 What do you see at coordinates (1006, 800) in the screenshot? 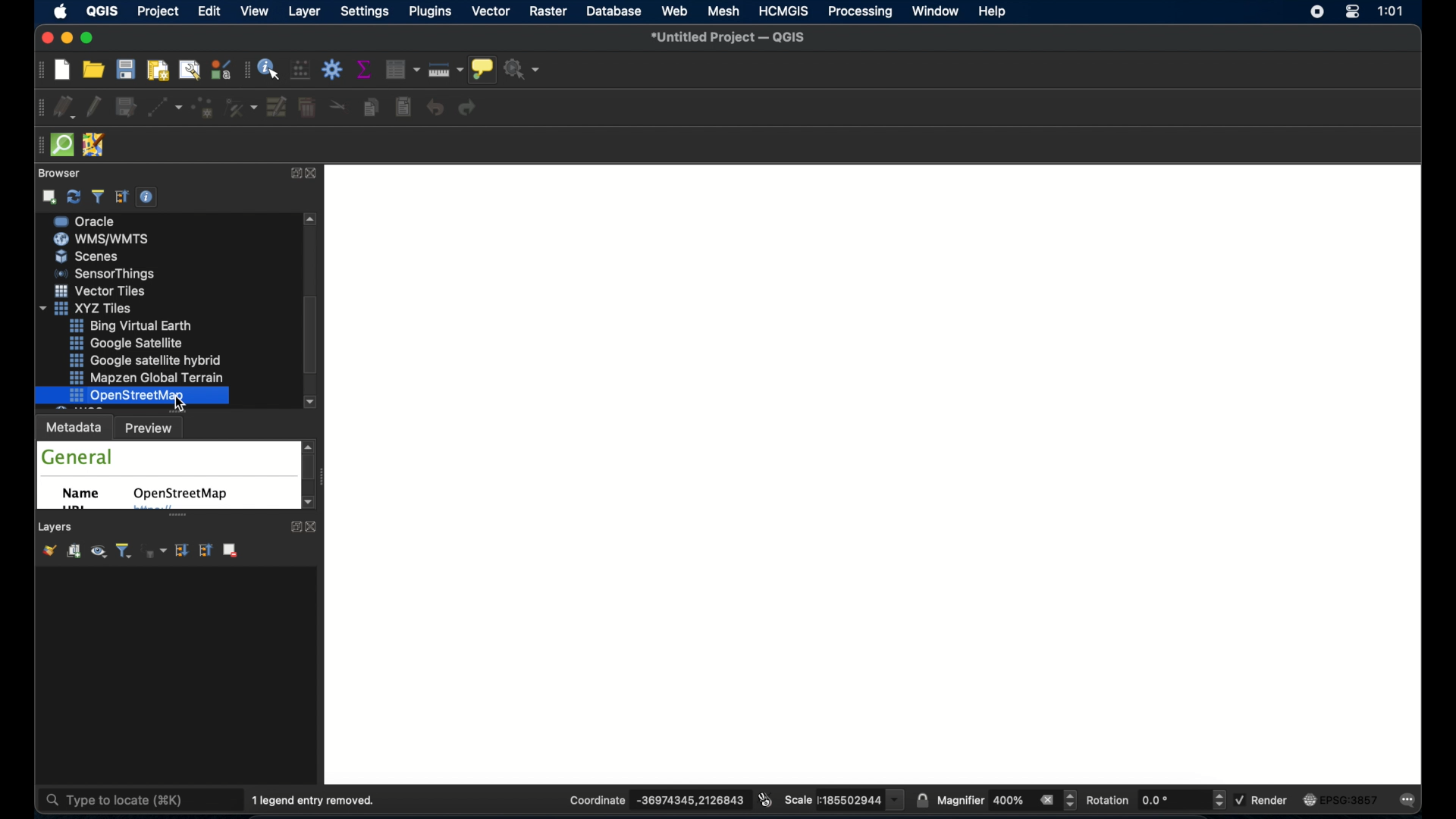
I see `magnifier` at bounding box center [1006, 800].